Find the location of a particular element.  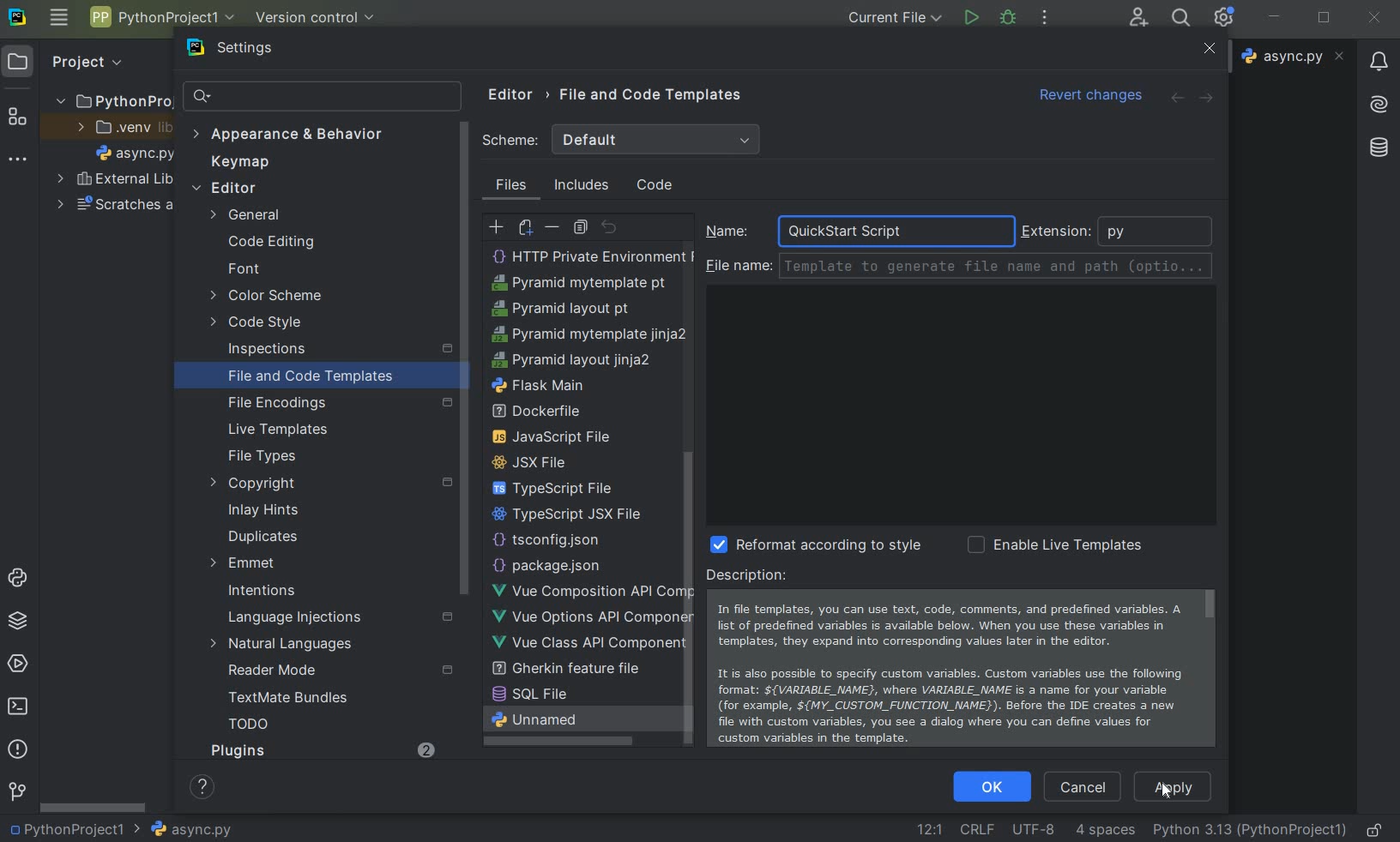

line separator is located at coordinates (979, 828).